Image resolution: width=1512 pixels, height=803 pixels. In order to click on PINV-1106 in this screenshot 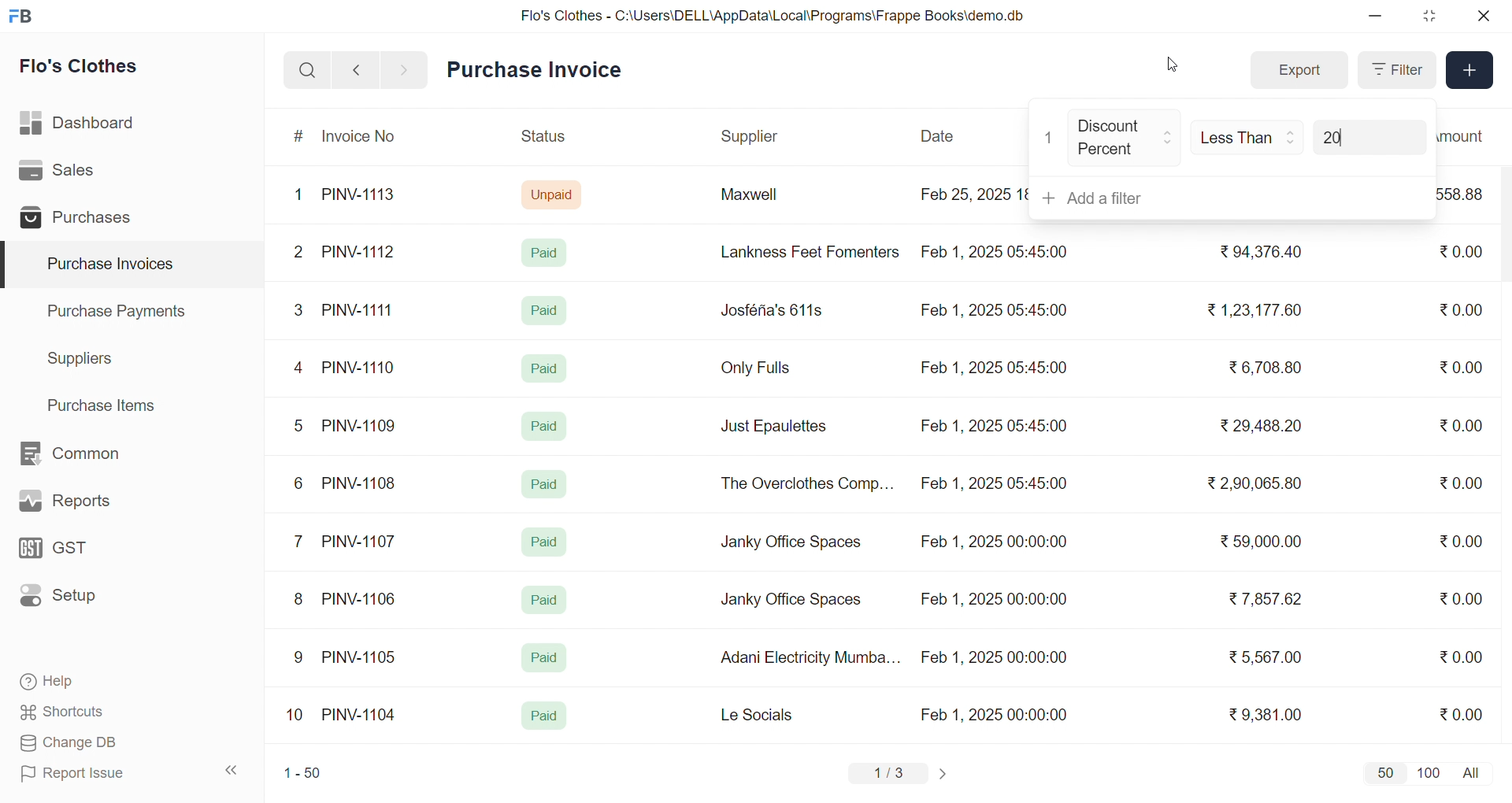, I will do `click(365, 599)`.